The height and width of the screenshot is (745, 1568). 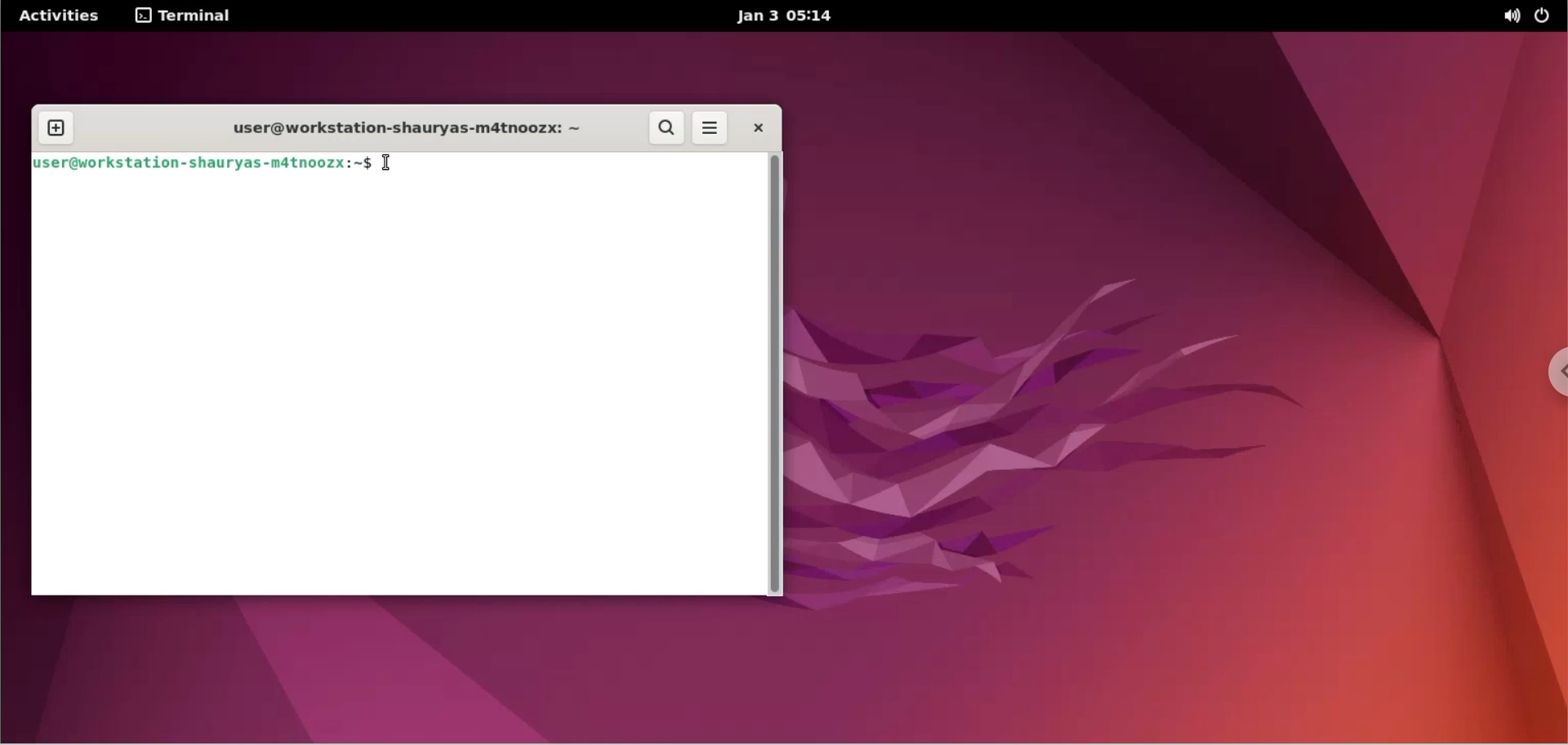 What do you see at coordinates (709, 129) in the screenshot?
I see `menu` at bounding box center [709, 129].